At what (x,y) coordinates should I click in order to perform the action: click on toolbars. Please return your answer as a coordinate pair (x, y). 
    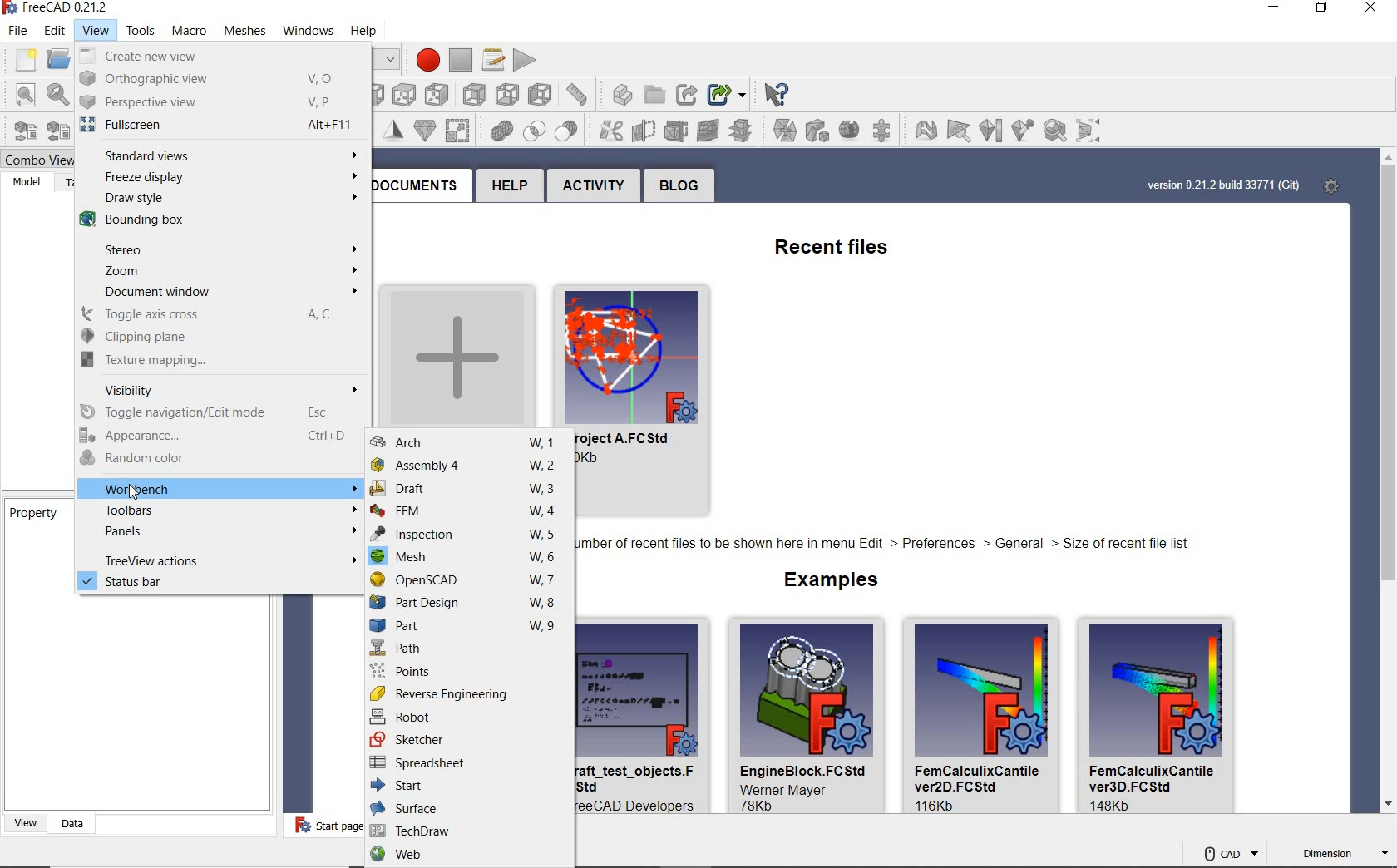
    Looking at the image, I should click on (220, 510).